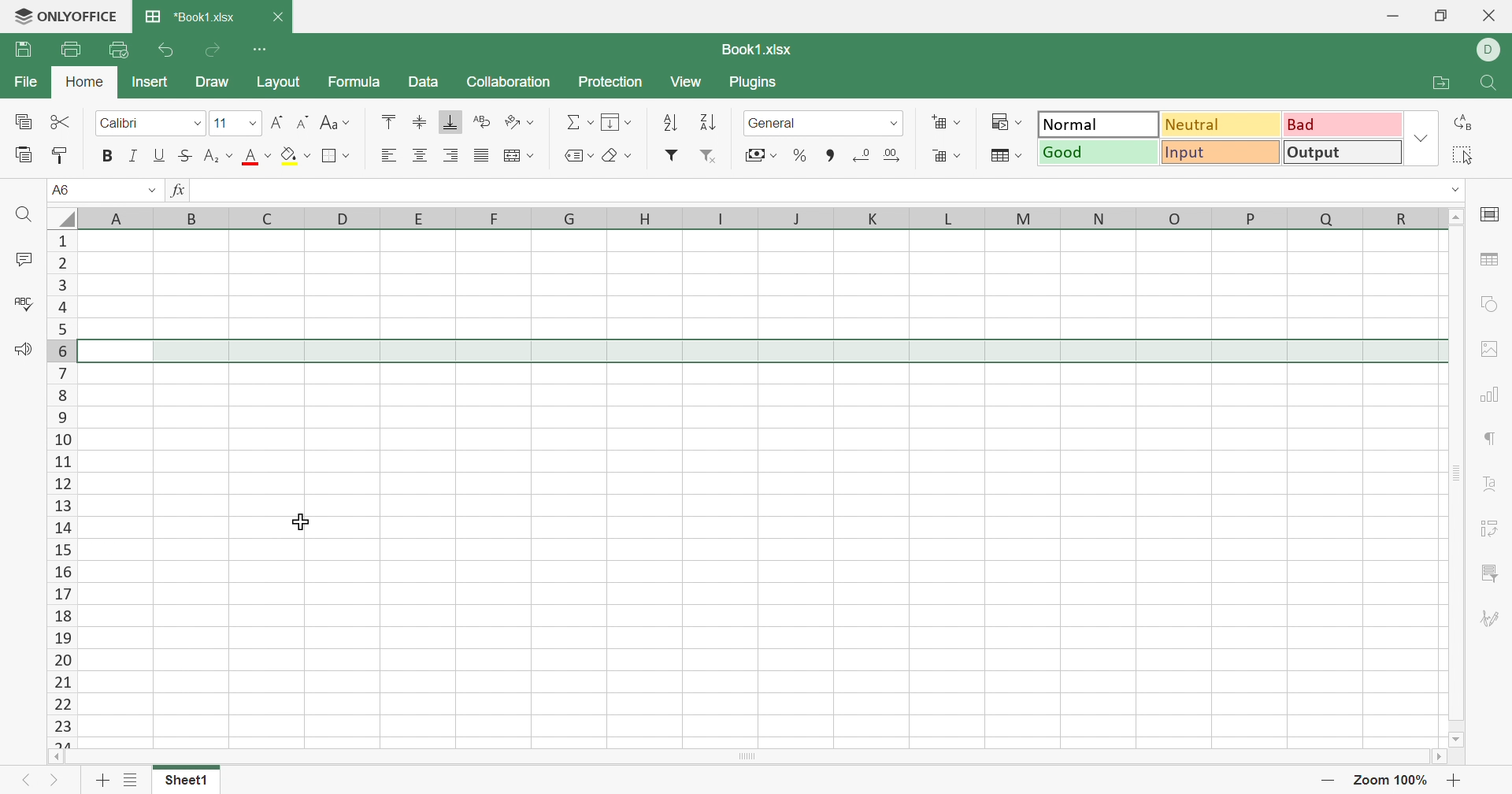 Image resolution: width=1512 pixels, height=794 pixels. Describe the element at coordinates (133, 780) in the screenshot. I see `List of Sheets` at that location.